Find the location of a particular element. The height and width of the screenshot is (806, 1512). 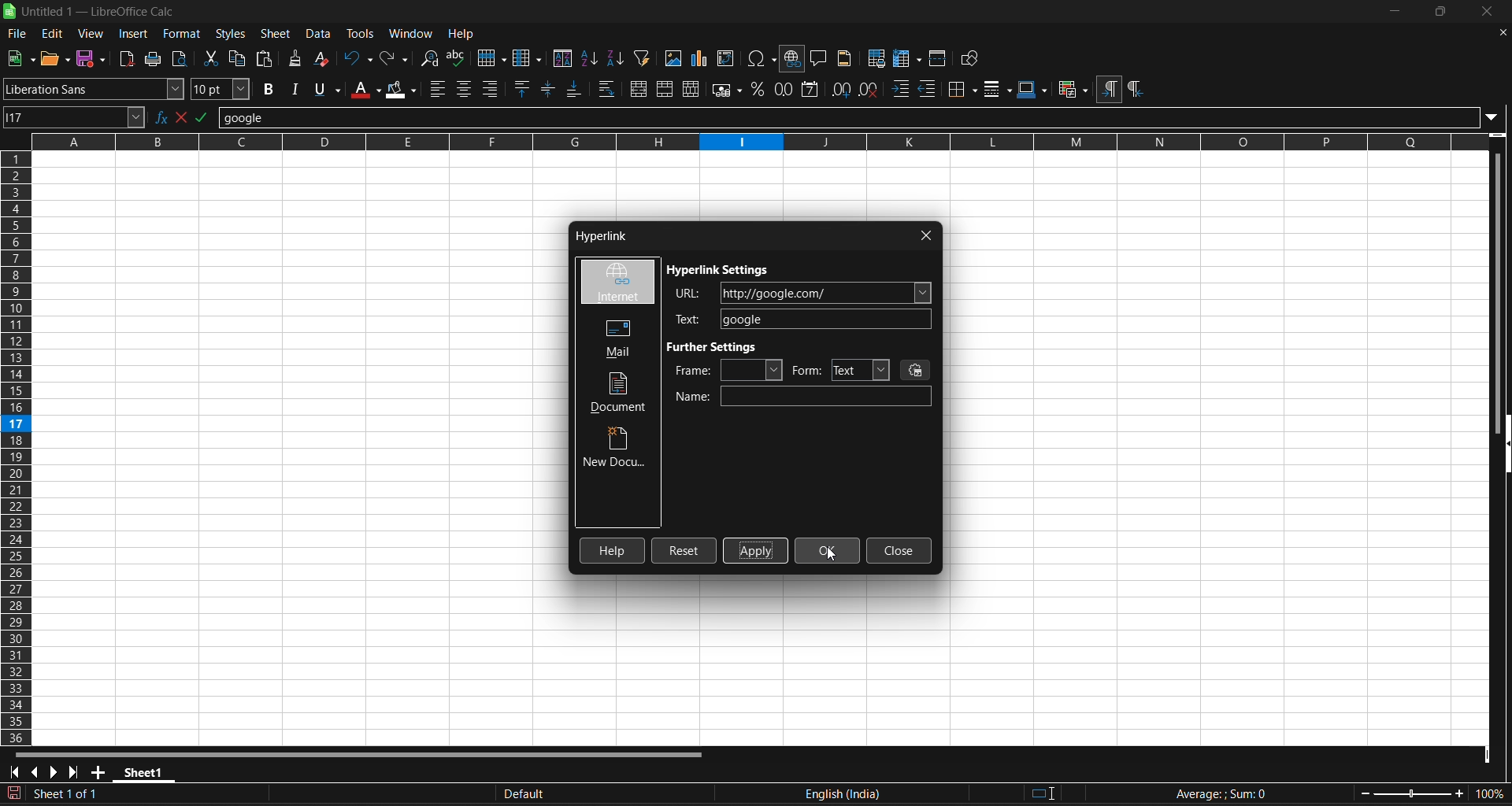

clear direct formatting is located at coordinates (324, 60).